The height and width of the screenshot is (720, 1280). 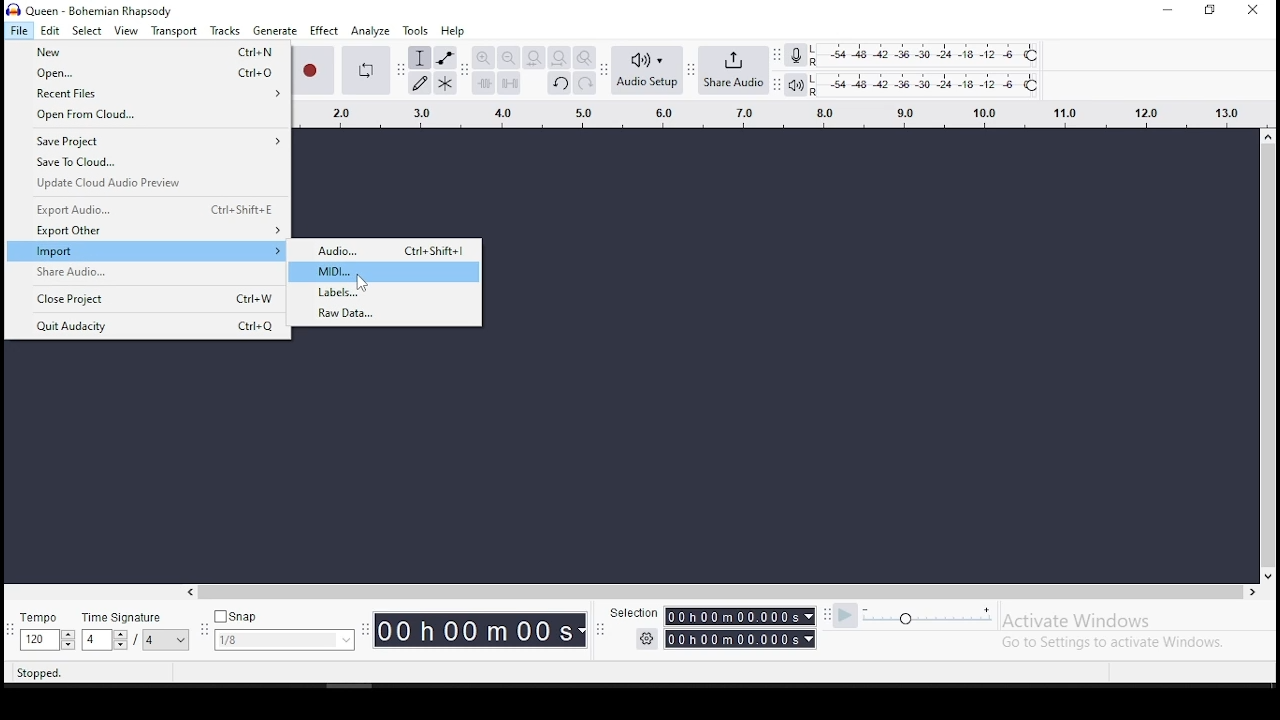 What do you see at coordinates (735, 72) in the screenshot?
I see `share audio` at bounding box center [735, 72].